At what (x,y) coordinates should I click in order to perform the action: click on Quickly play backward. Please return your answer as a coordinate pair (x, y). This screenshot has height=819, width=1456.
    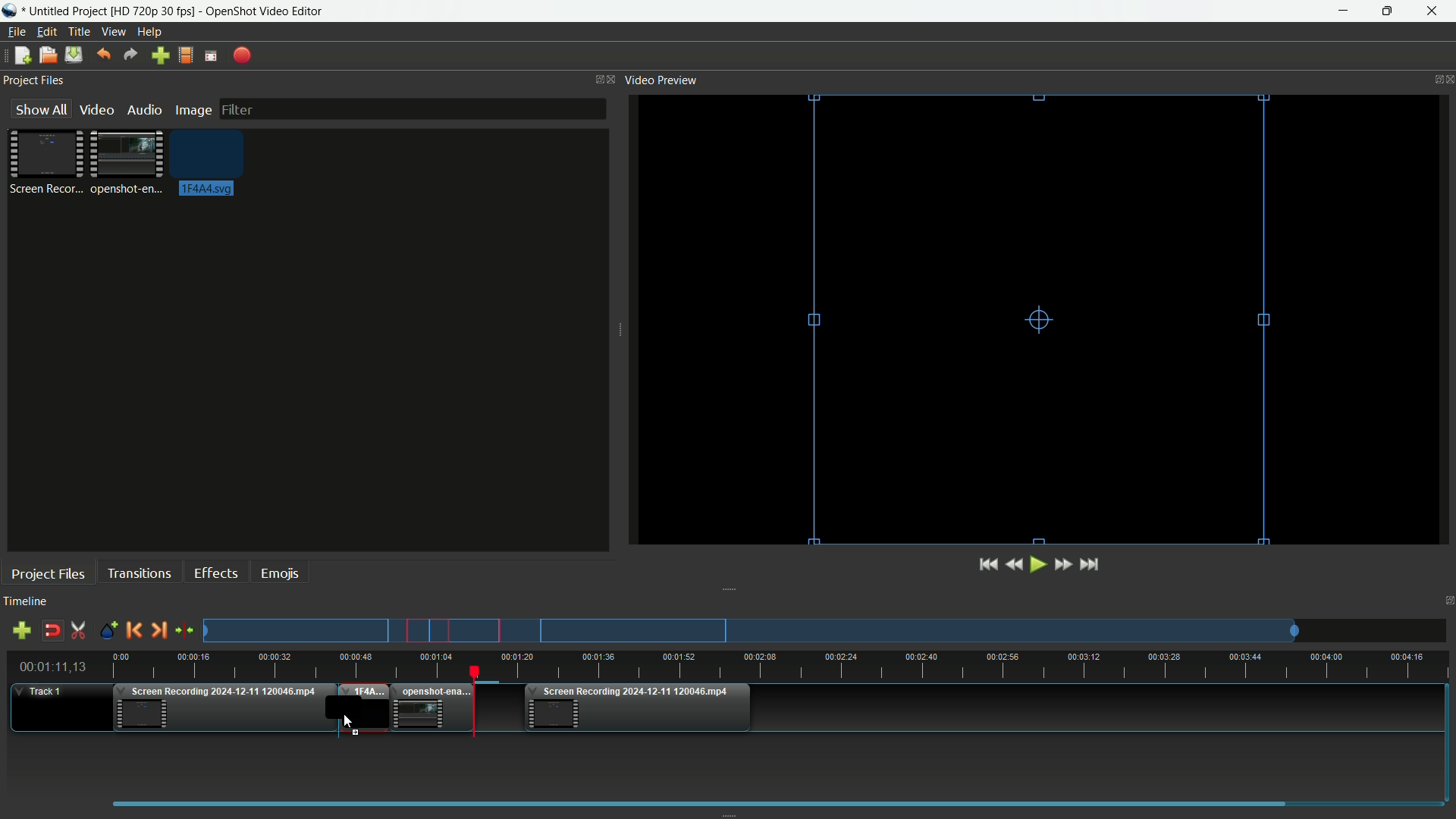
    Looking at the image, I should click on (1018, 564).